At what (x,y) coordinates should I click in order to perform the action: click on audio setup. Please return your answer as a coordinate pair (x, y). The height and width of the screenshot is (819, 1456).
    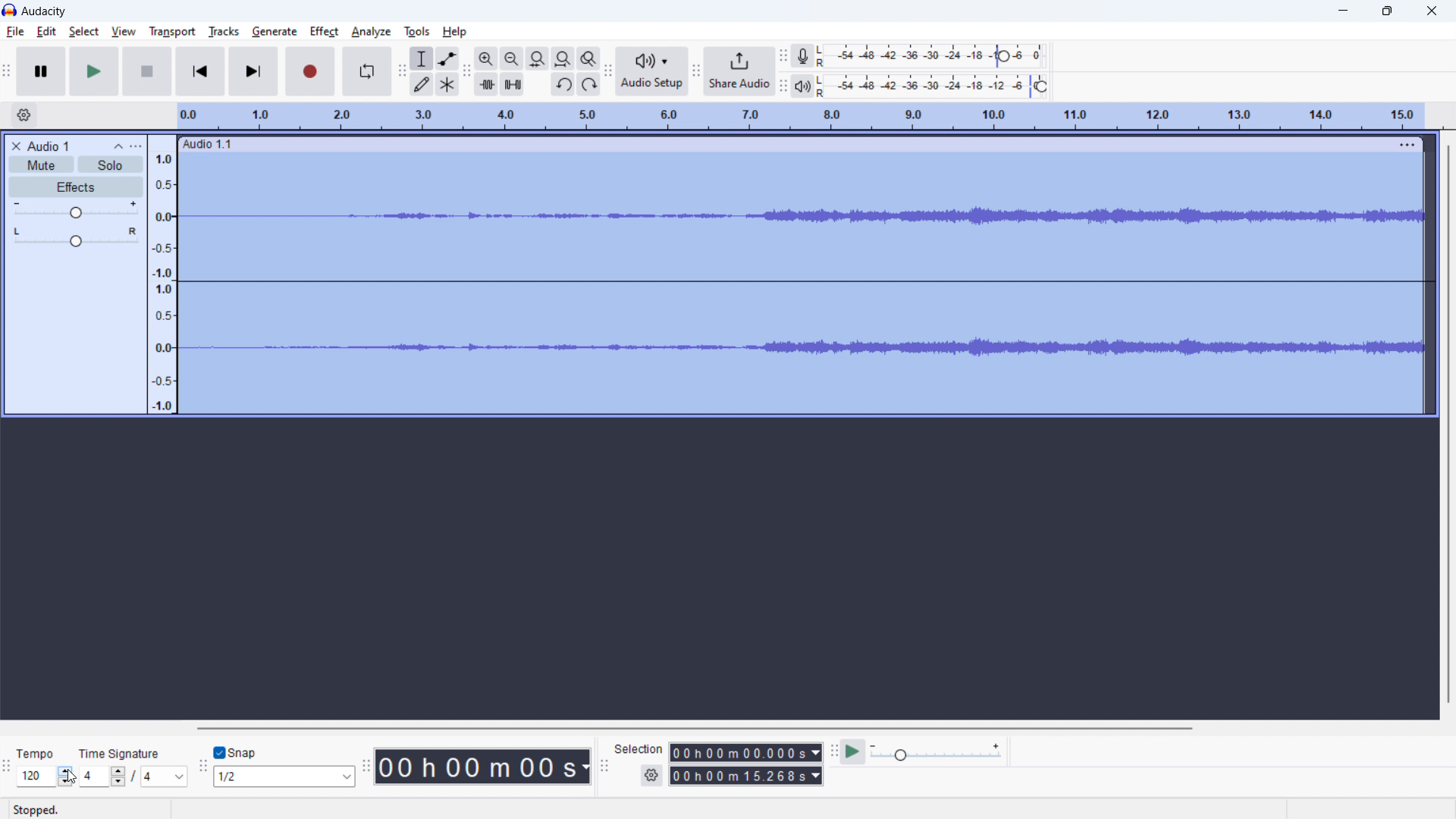
    Looking at the image, I should click on (652, 71).